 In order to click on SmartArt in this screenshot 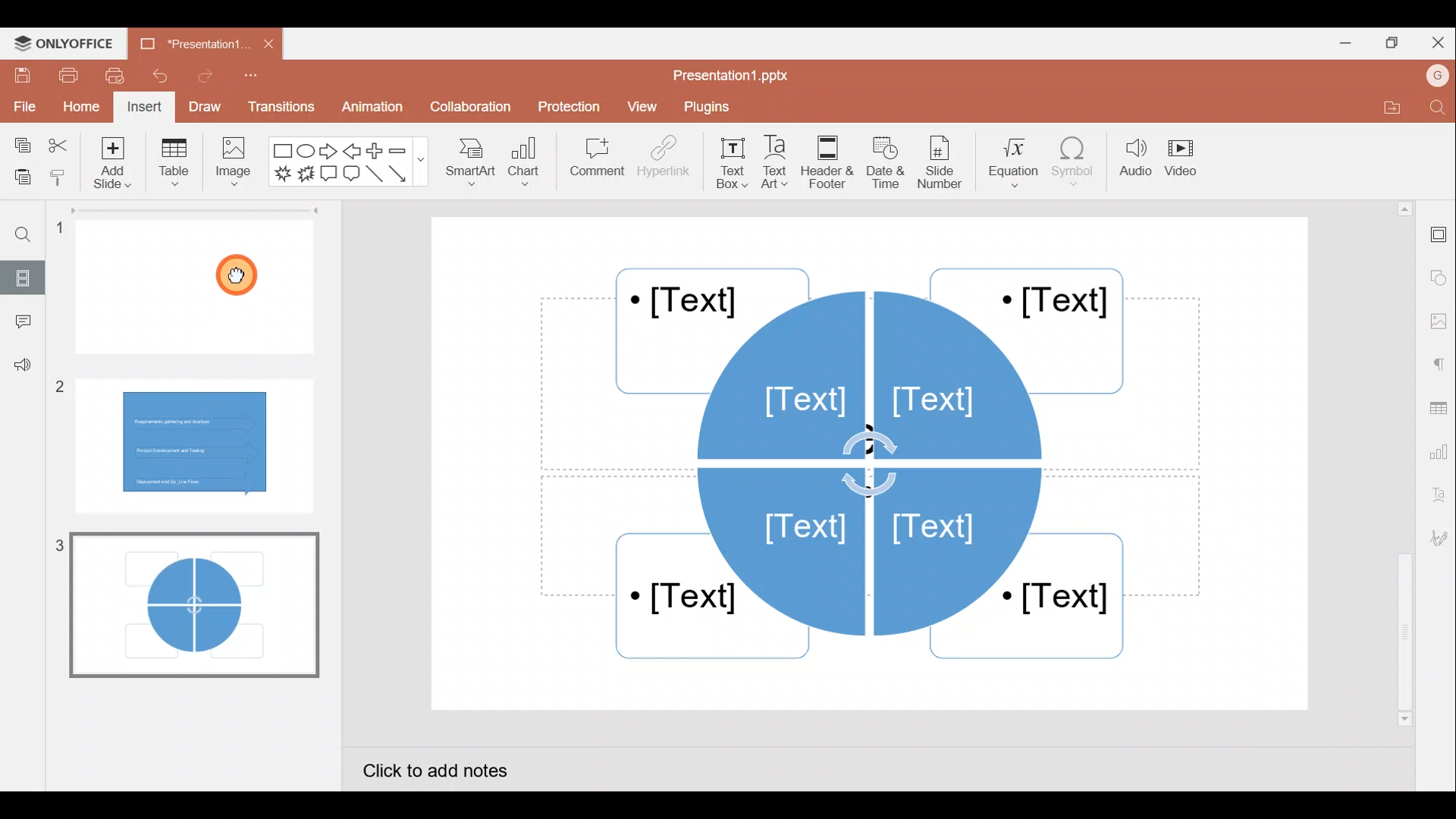, I will do `click(470, 168)`.